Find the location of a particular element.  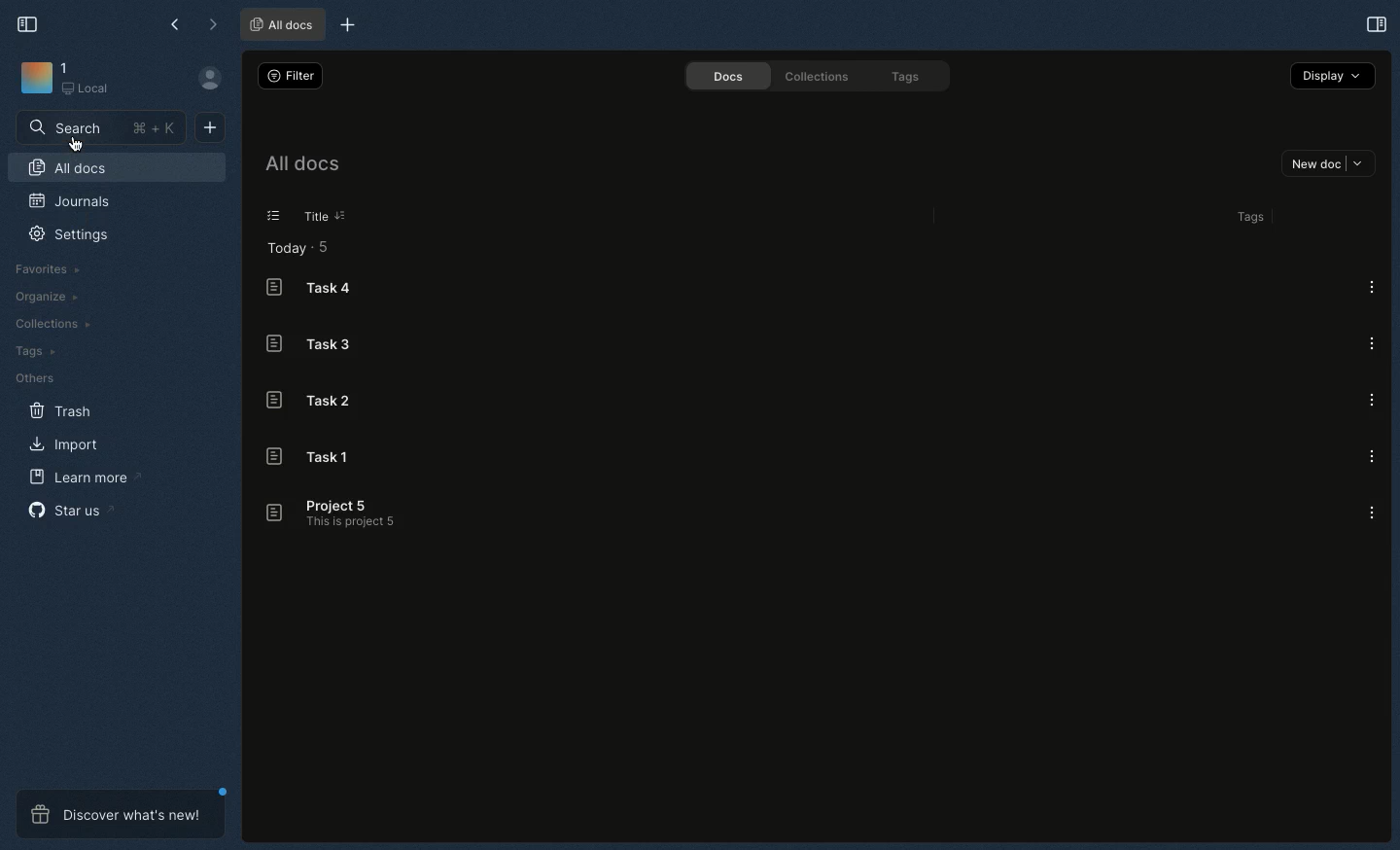

Options is located at coordinates (1371, 400).